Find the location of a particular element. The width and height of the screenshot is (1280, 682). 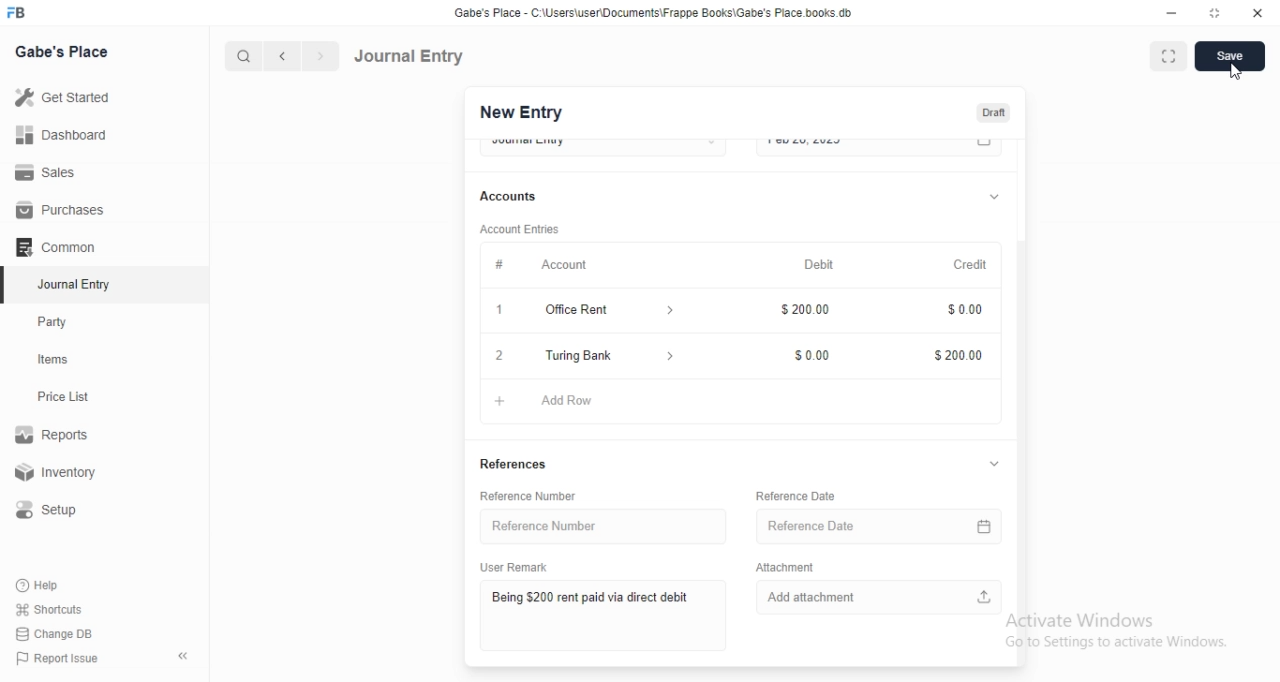

tems is located at coordinates (61, 360).